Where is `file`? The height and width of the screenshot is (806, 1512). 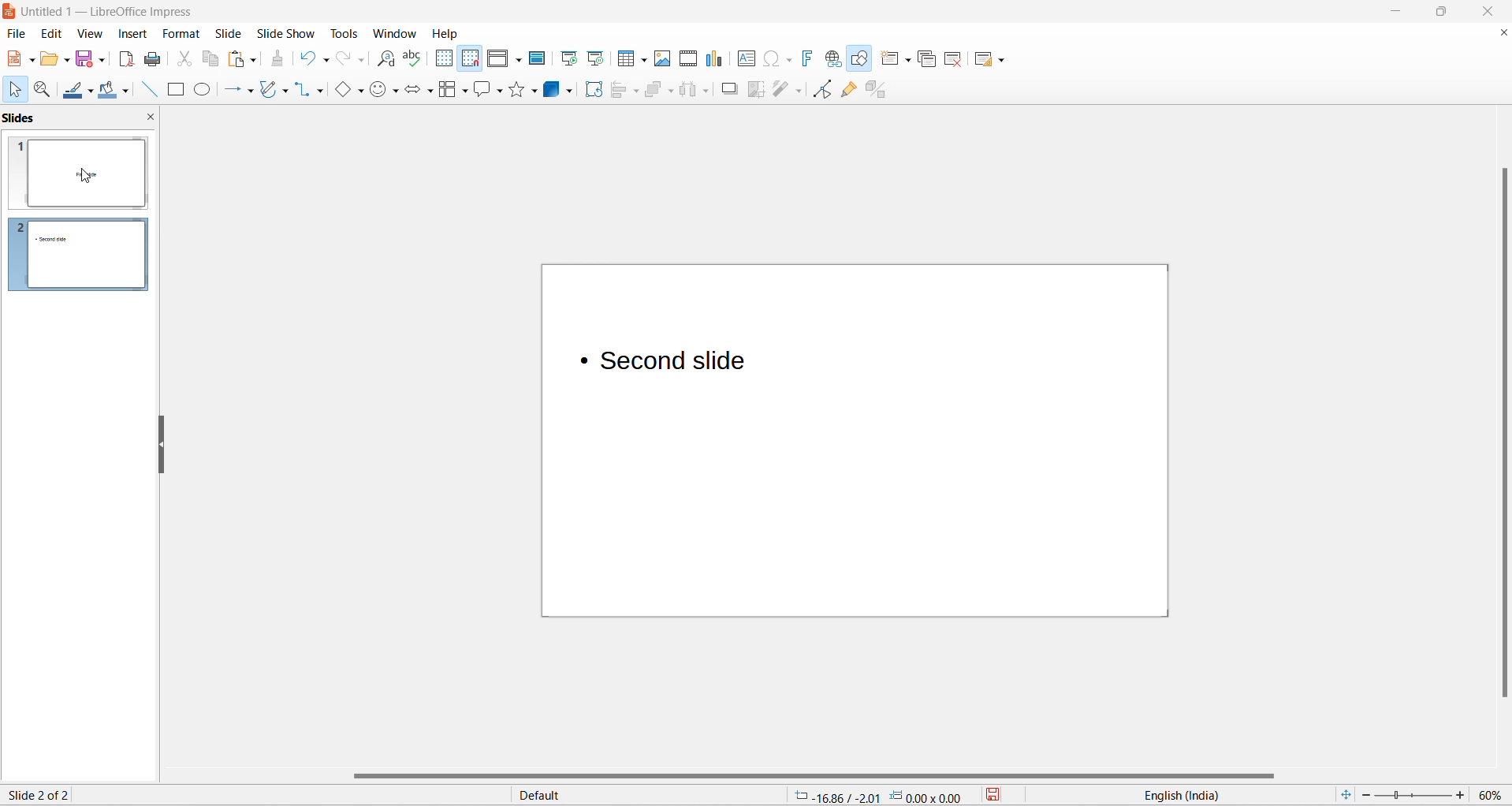 file is located at coordinates (20, 33).